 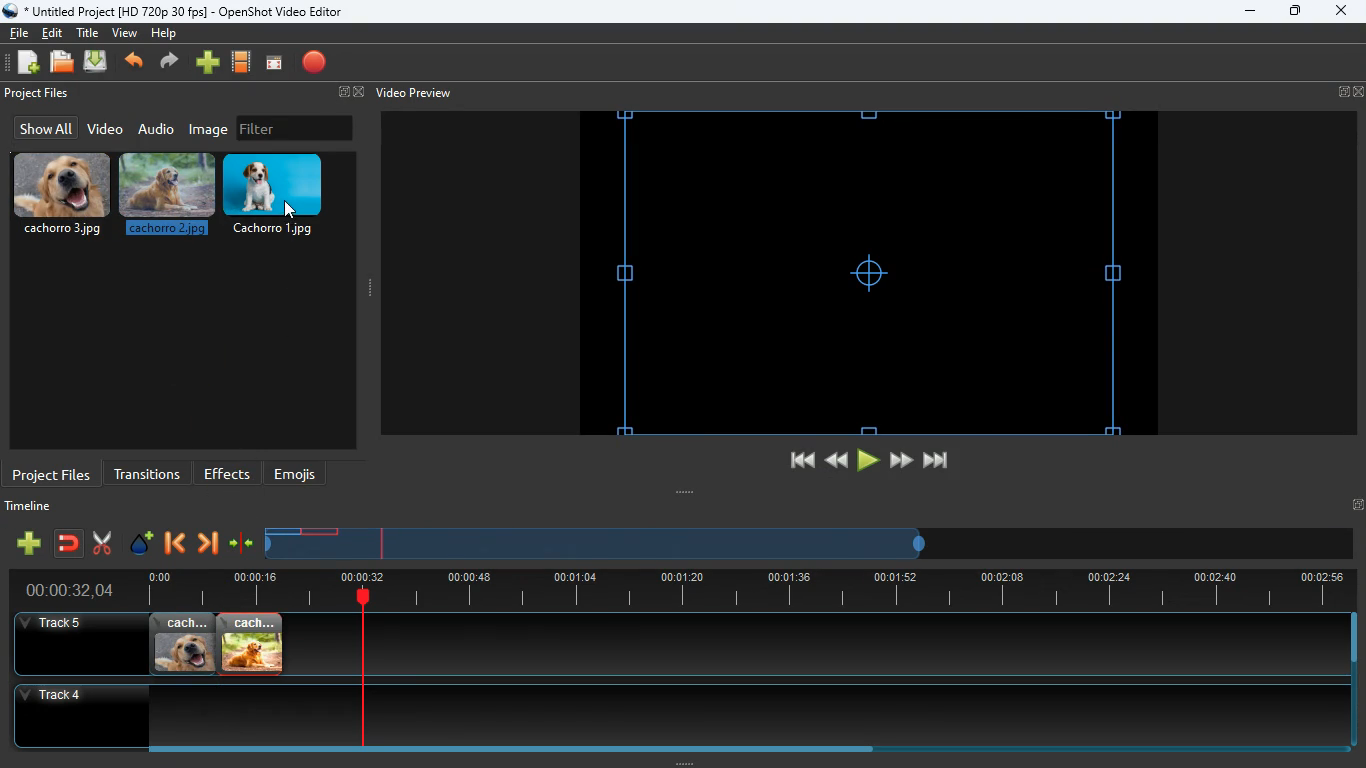 I want to click on image, so click(x=210, y=129).